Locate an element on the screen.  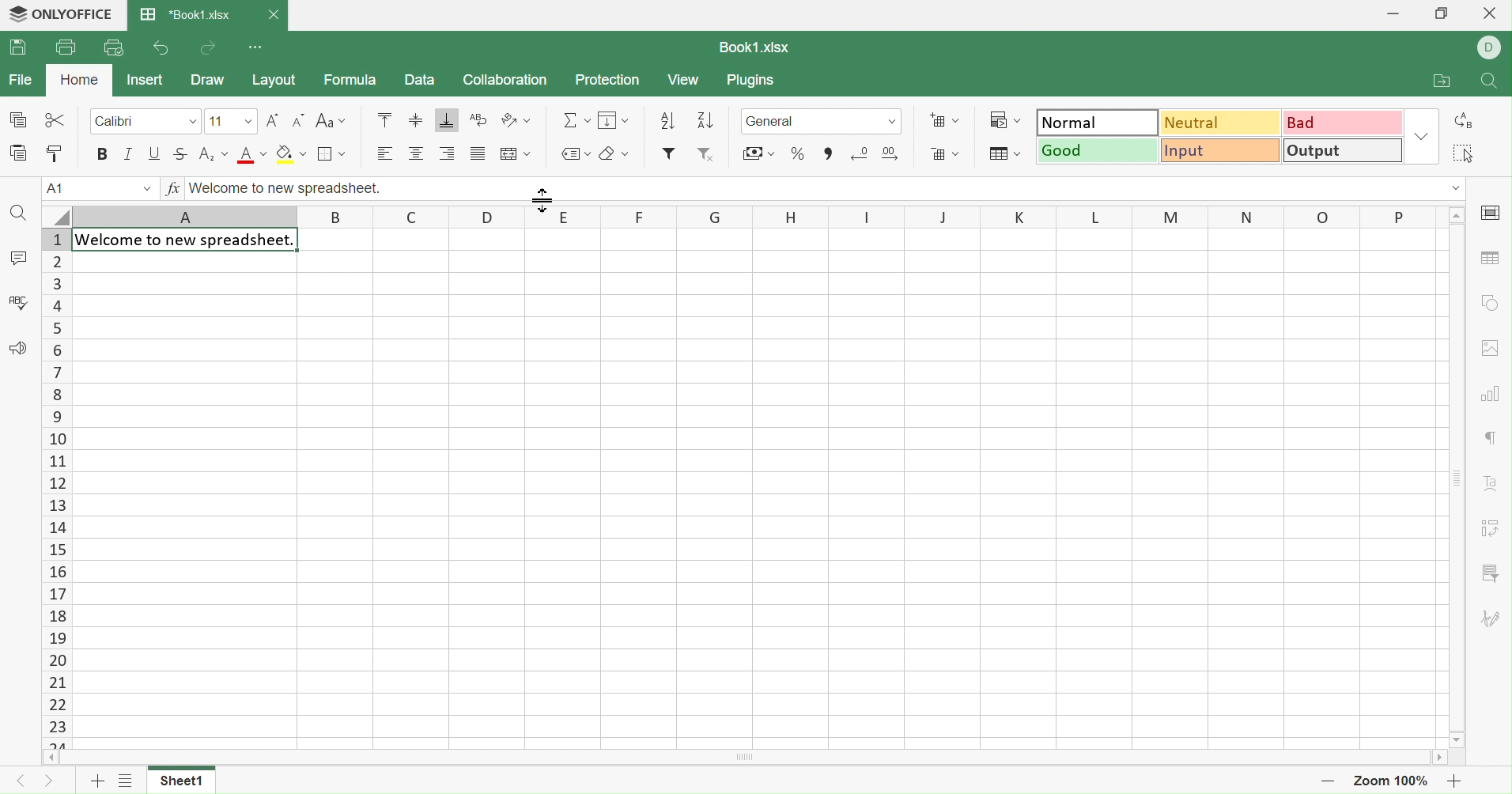
Check Spelling is located at coordinates (19, 301).